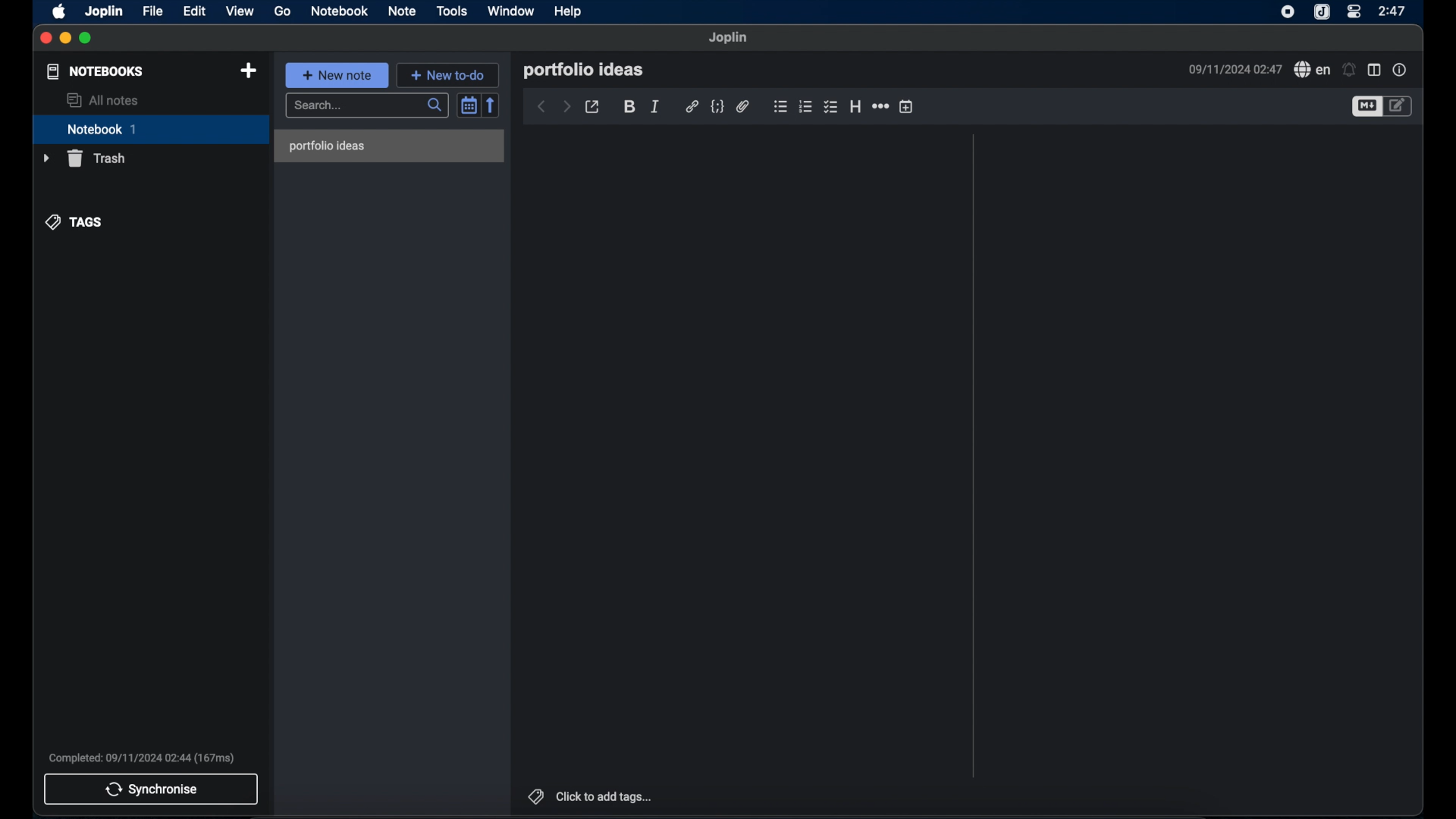 The width and height of the screenshot is (1456, 819). What do you see at coordinates (368, 107) in the screenshot?
I see `search bar` at bounding box center [368, 107].